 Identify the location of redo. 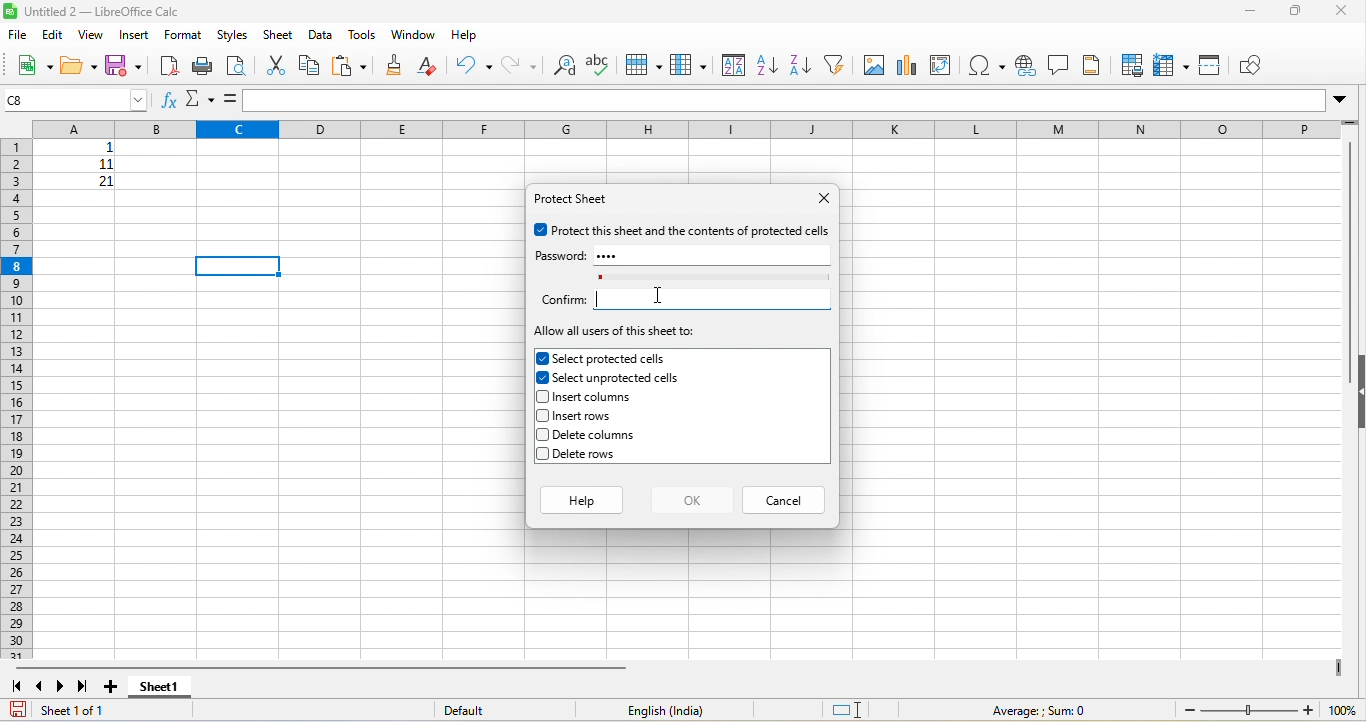
(517, 65).